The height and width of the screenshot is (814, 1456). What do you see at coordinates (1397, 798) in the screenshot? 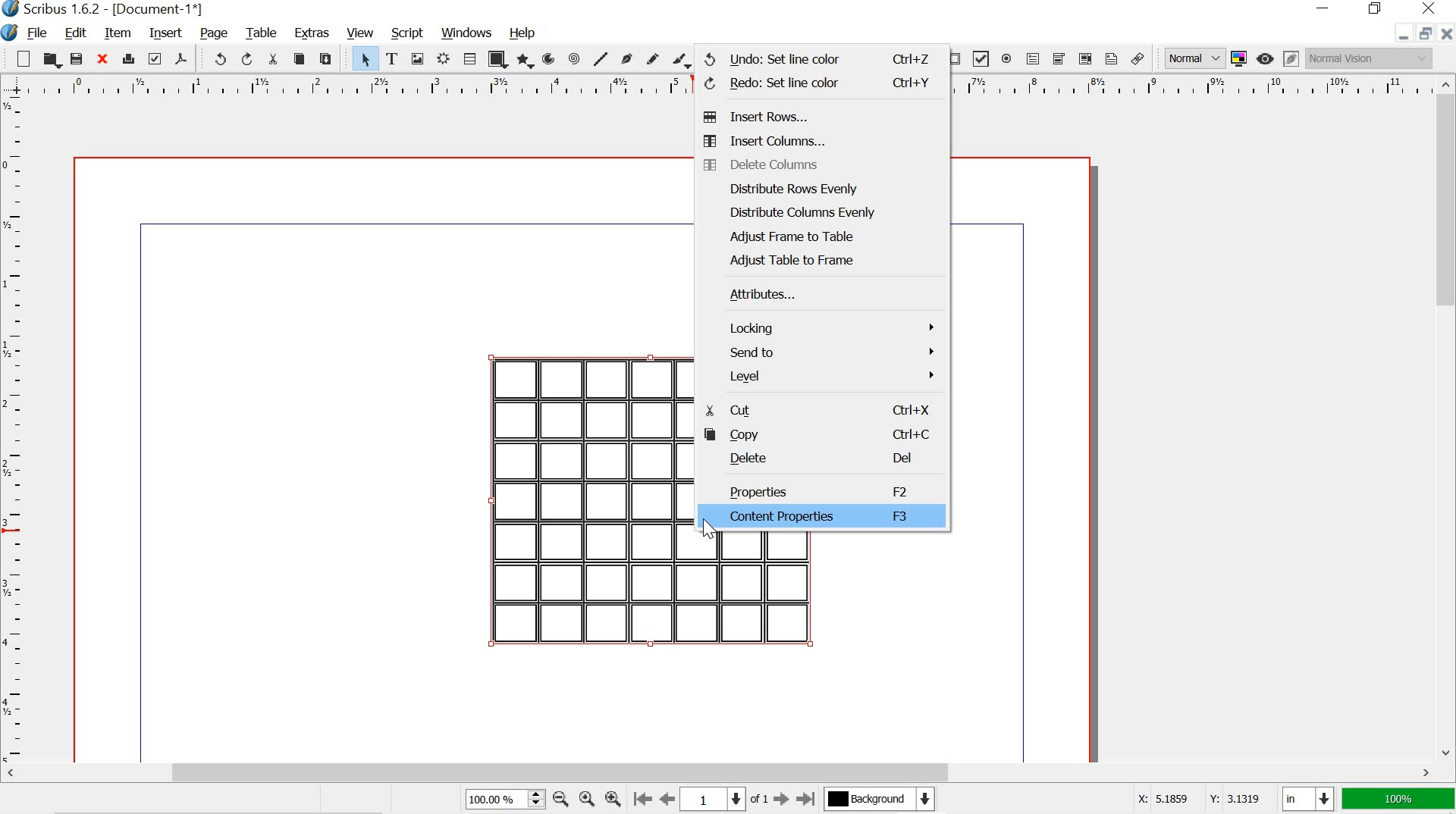
I see `100%` at bounding box center [1397, 798].